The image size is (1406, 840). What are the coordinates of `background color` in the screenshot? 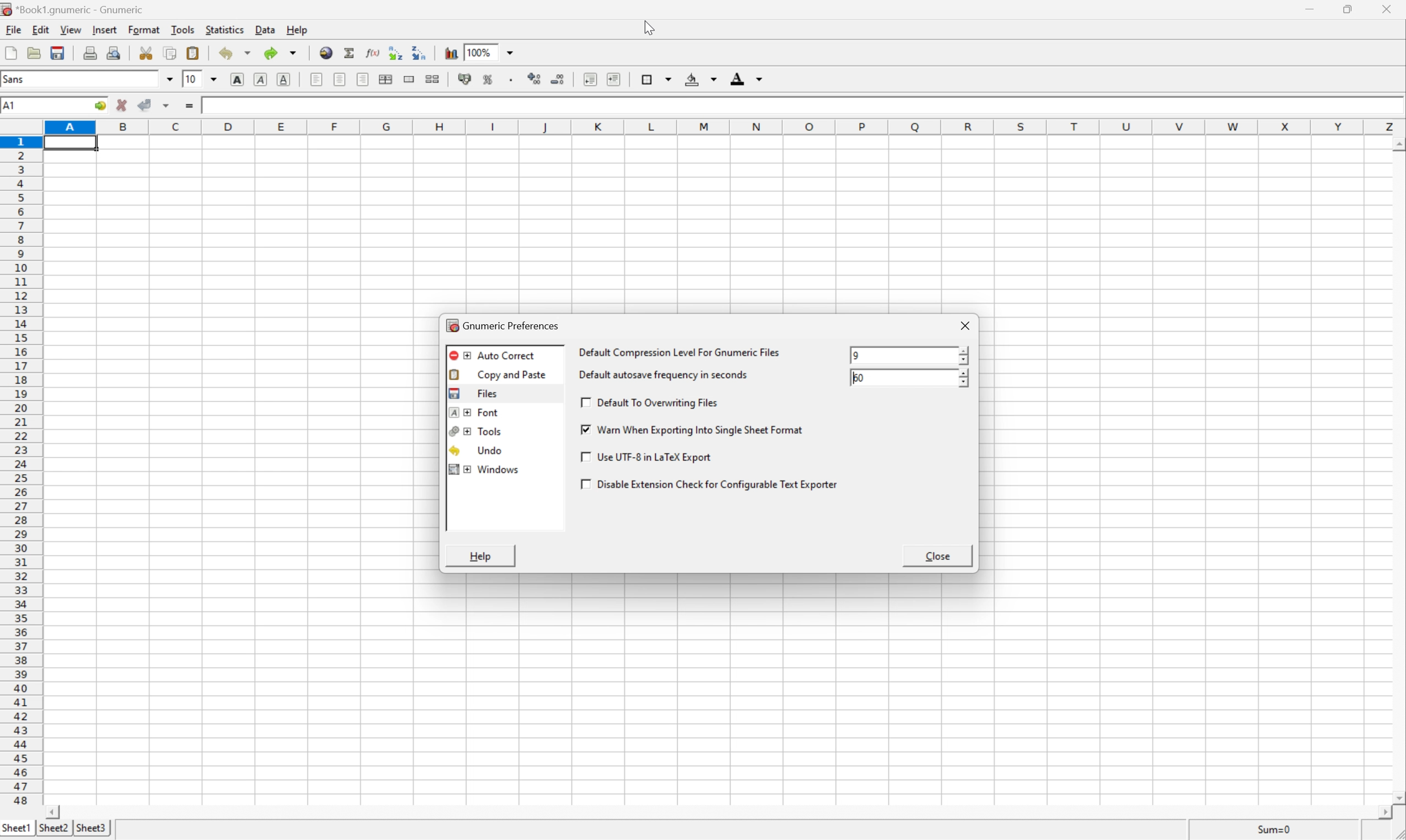 It's located at (703, 79).